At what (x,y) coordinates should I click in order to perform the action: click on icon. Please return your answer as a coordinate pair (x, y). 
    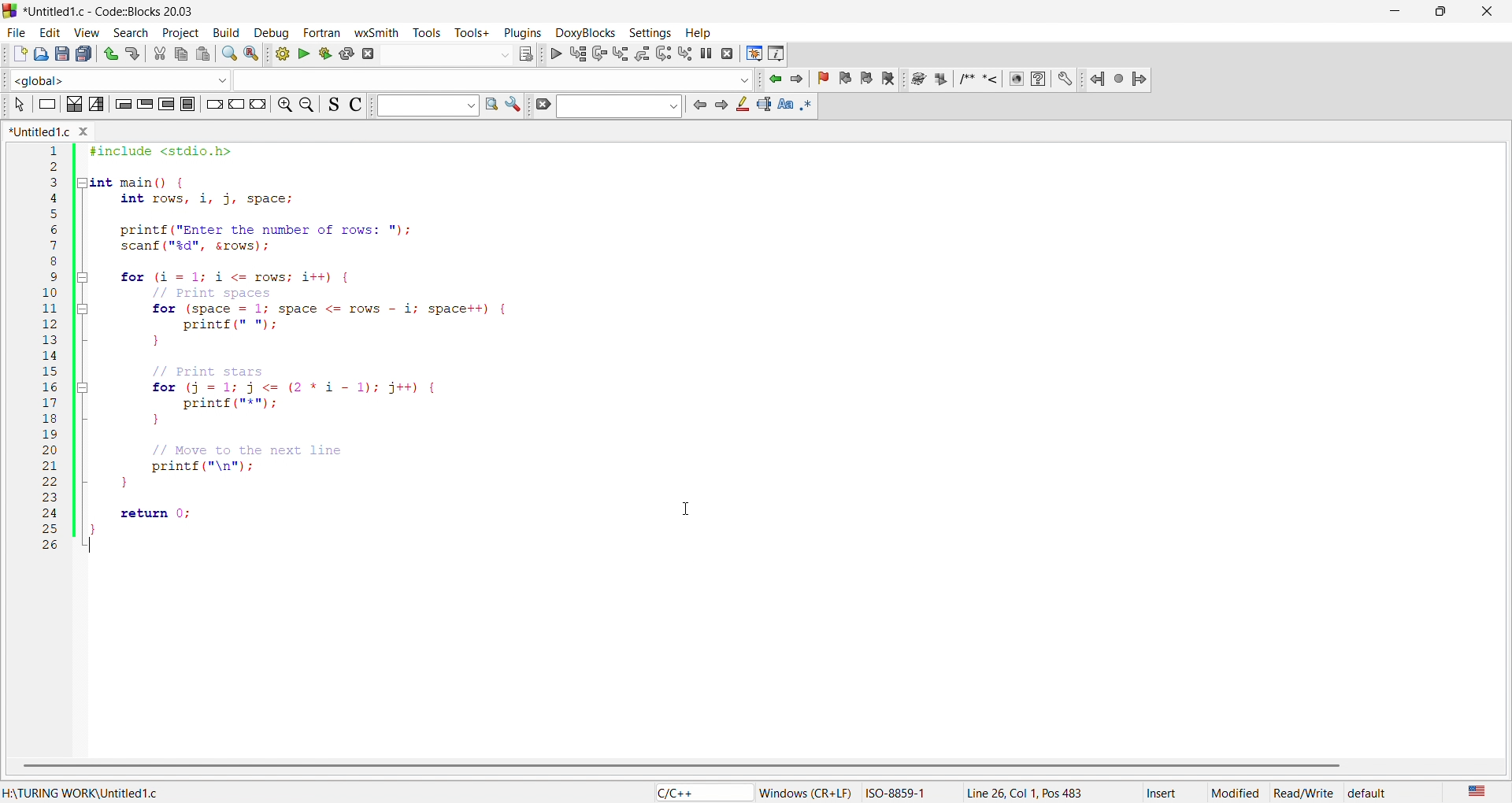
    Looking at the image, I should click on (354, 105).